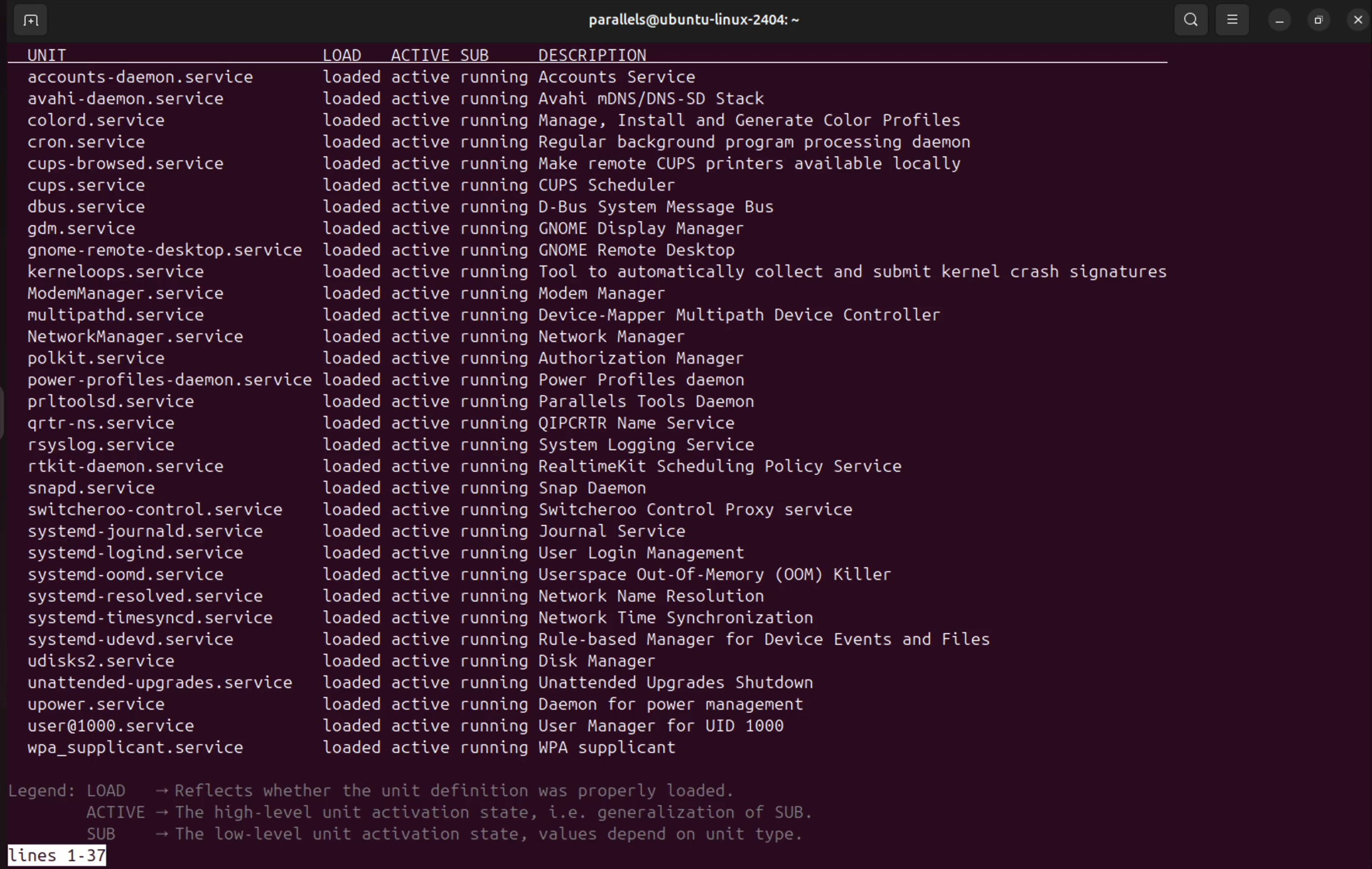 Image resolution: width=1372 pixels, height=869 pixels. Describe the element at coordinates (350, 642) in the screenshot. I see `loaded` at that location.